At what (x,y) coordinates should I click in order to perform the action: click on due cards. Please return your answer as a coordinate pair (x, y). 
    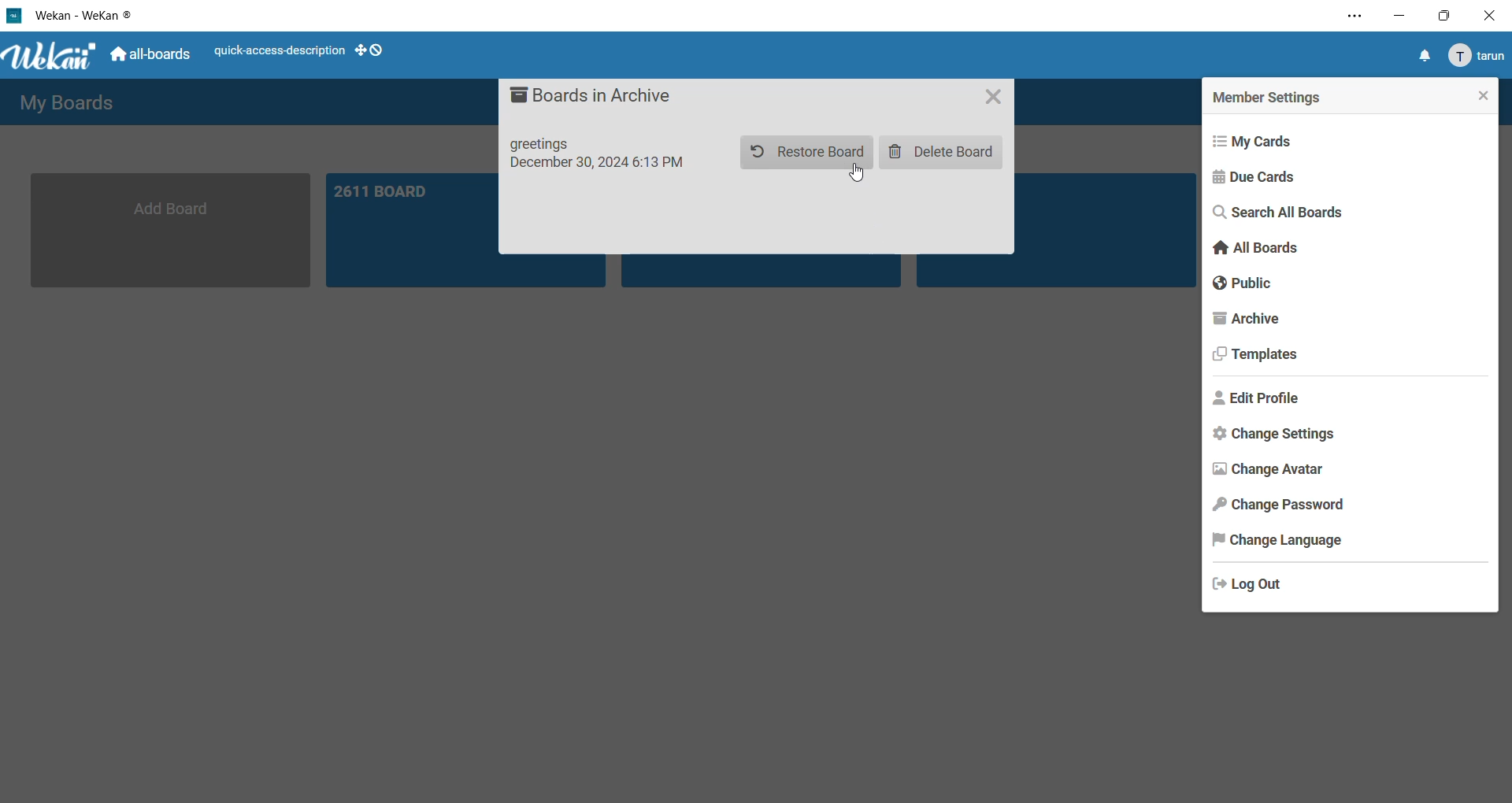
    Looking at the image, I should click on (1258, 177).